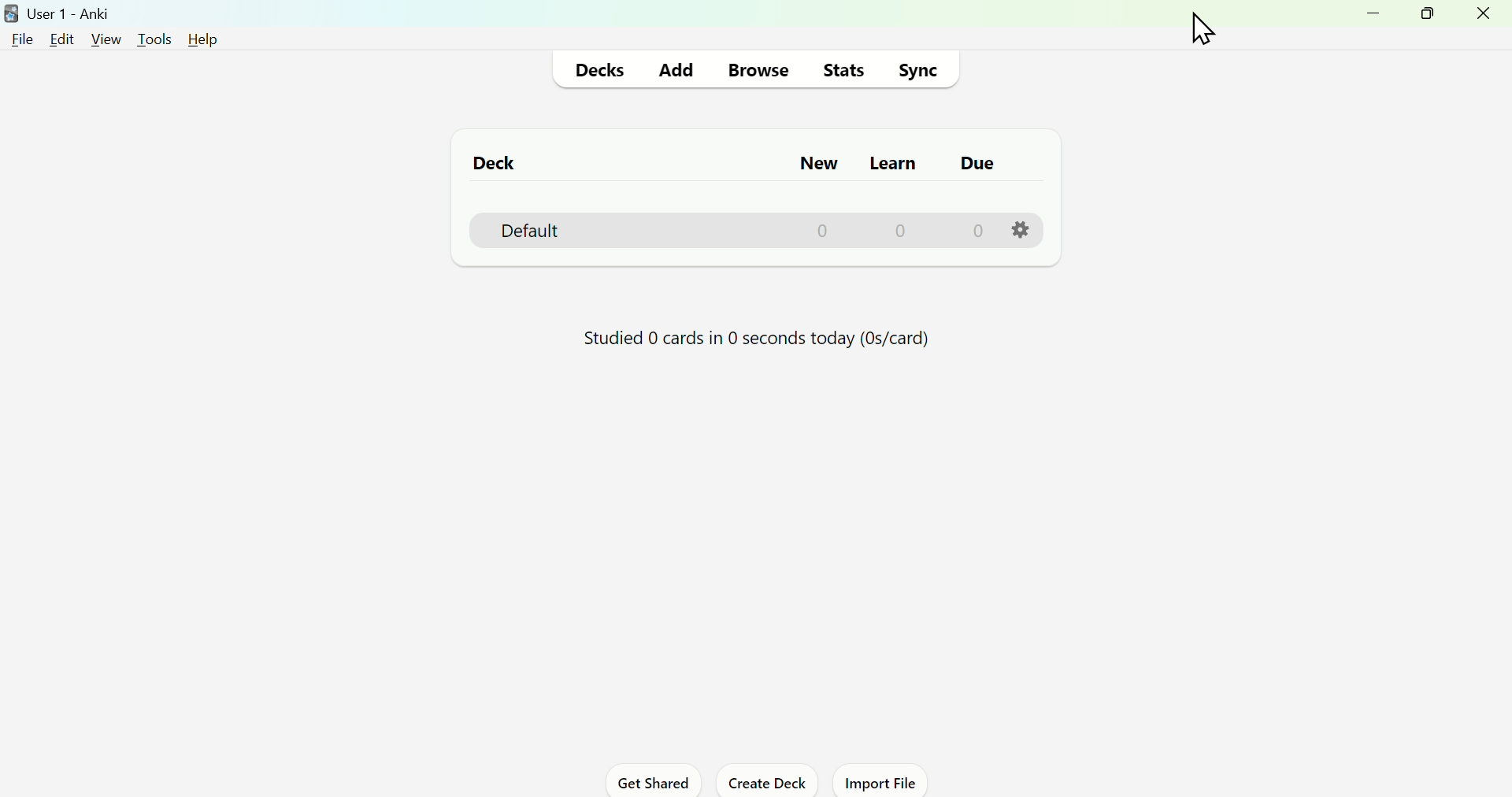 This screenshot has width=1512, height=797. I want to click on Close, so click(1486, 19).